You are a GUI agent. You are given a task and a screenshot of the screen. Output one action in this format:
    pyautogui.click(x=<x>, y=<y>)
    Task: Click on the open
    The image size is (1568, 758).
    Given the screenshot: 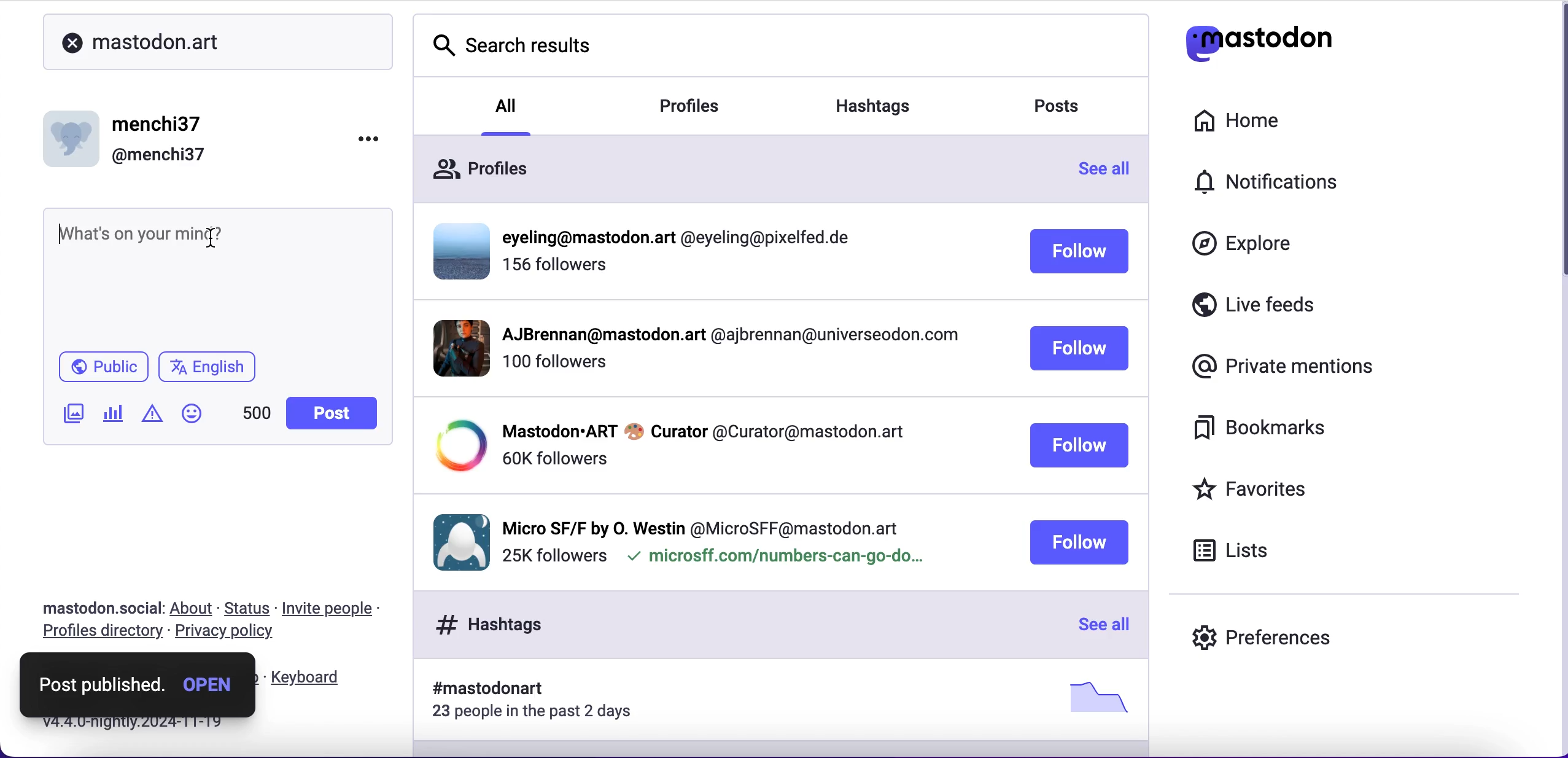 What is the action you would take?
    pyautogui.click(x=215, y=686)
    